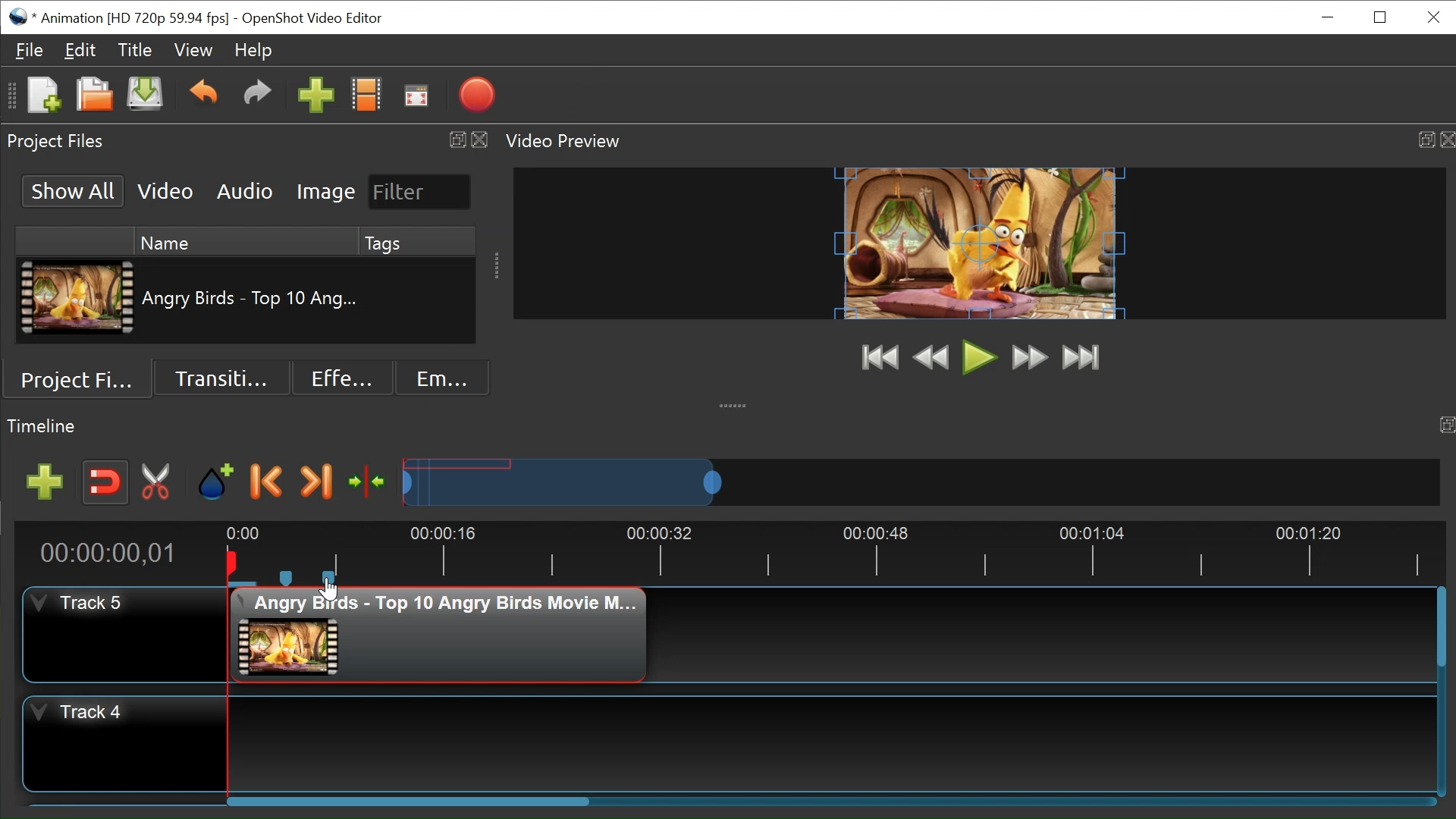  What do you see at coordinates (163, 192) in the screenshot?
I see `Video` at bounding box center [163, 192].